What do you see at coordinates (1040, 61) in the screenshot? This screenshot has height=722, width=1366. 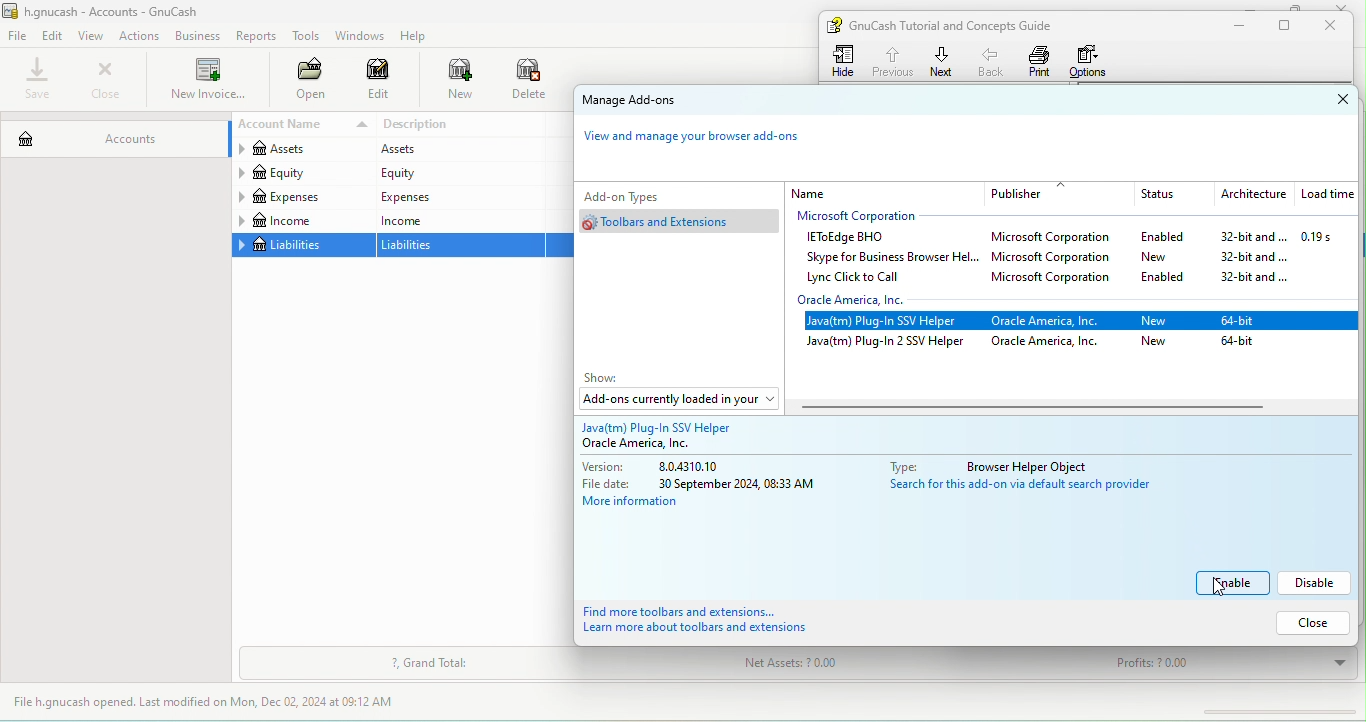 I see `print` at bounding box center [1040, 61].